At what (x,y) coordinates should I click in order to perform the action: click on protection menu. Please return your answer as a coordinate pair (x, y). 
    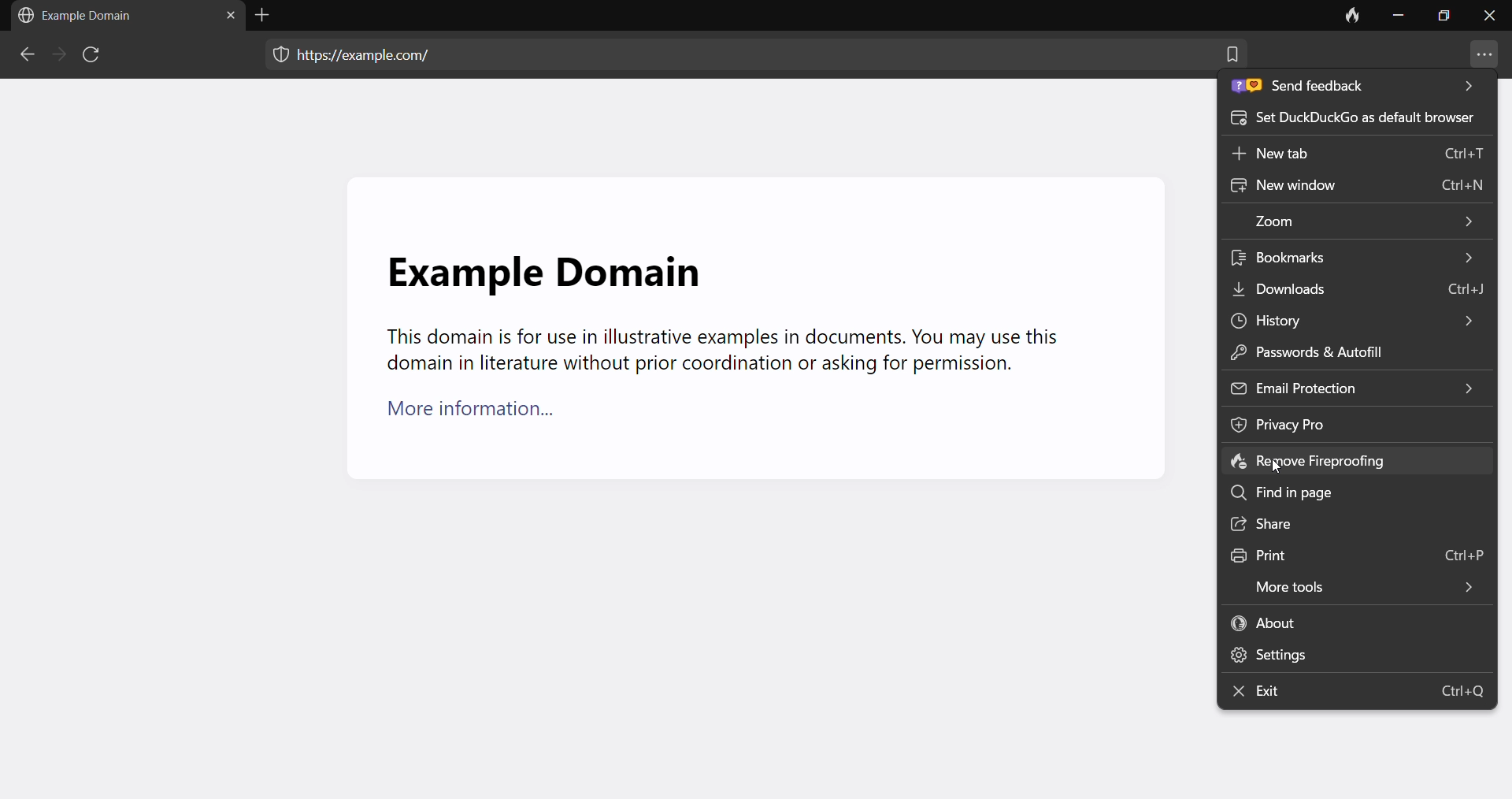
    Looking at the image, I should click on (273, 57).